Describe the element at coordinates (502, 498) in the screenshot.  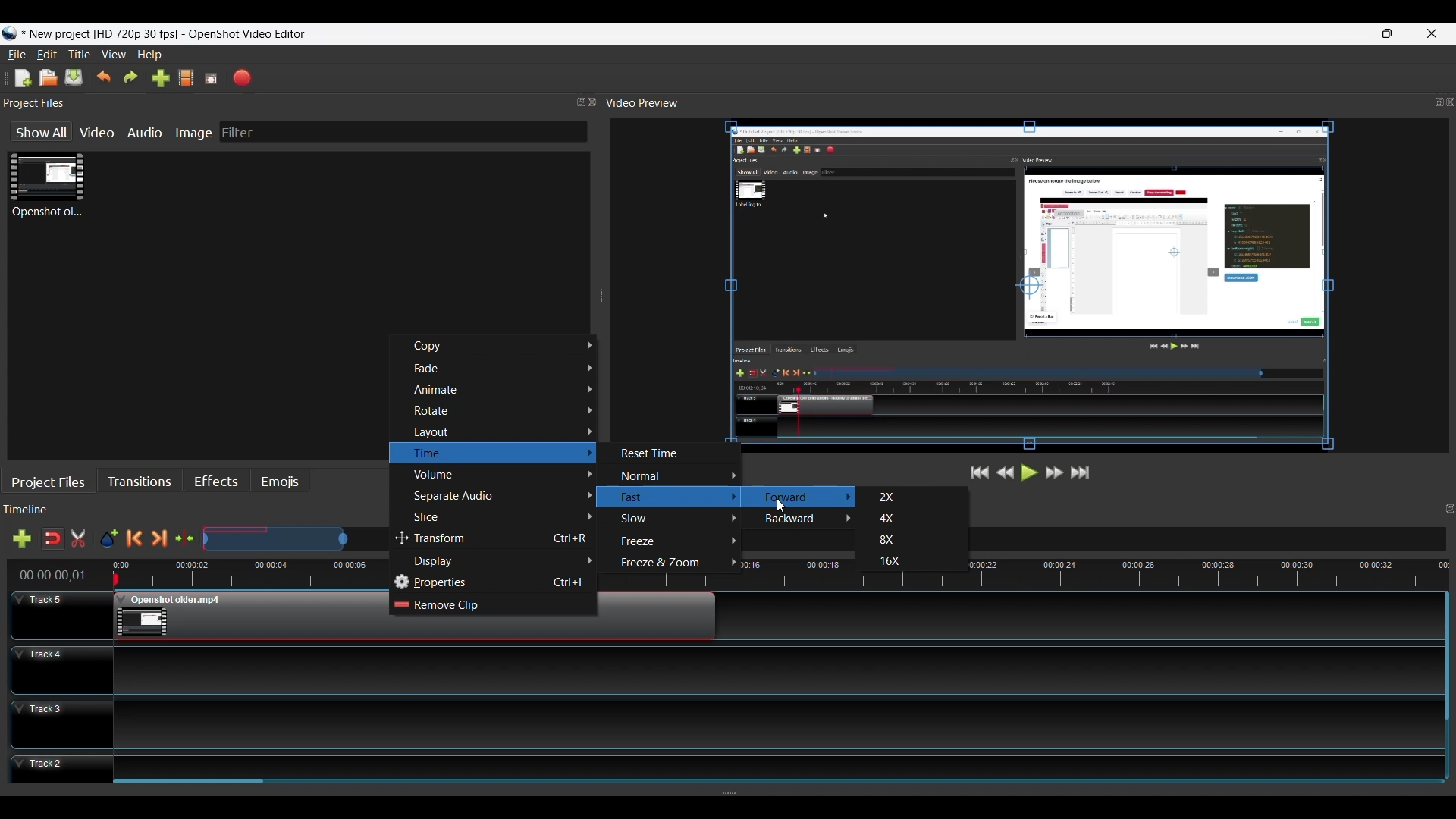
I see `Separate Audio` at that location.